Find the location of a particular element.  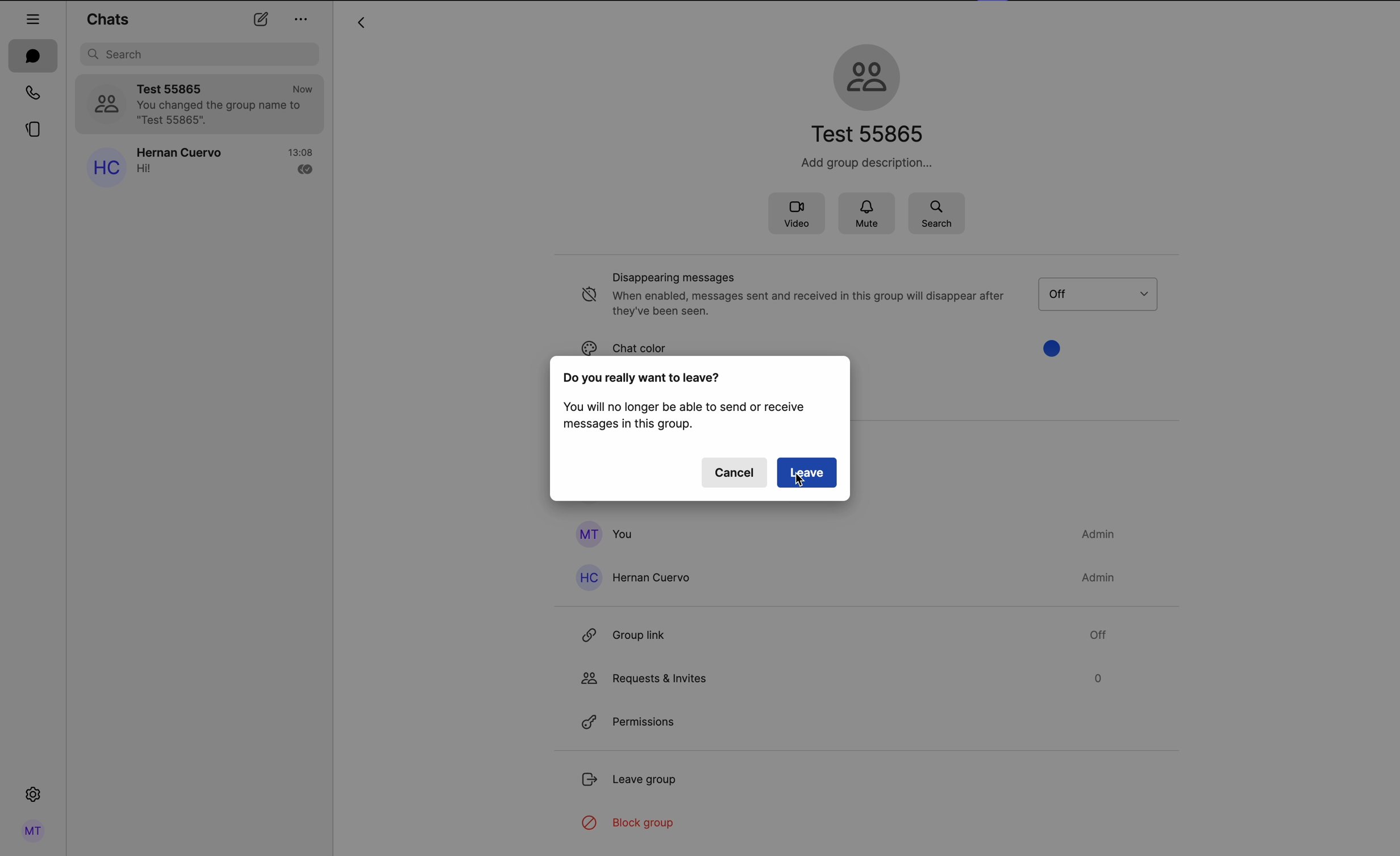

profile picture is located at coordinates (105, 102).